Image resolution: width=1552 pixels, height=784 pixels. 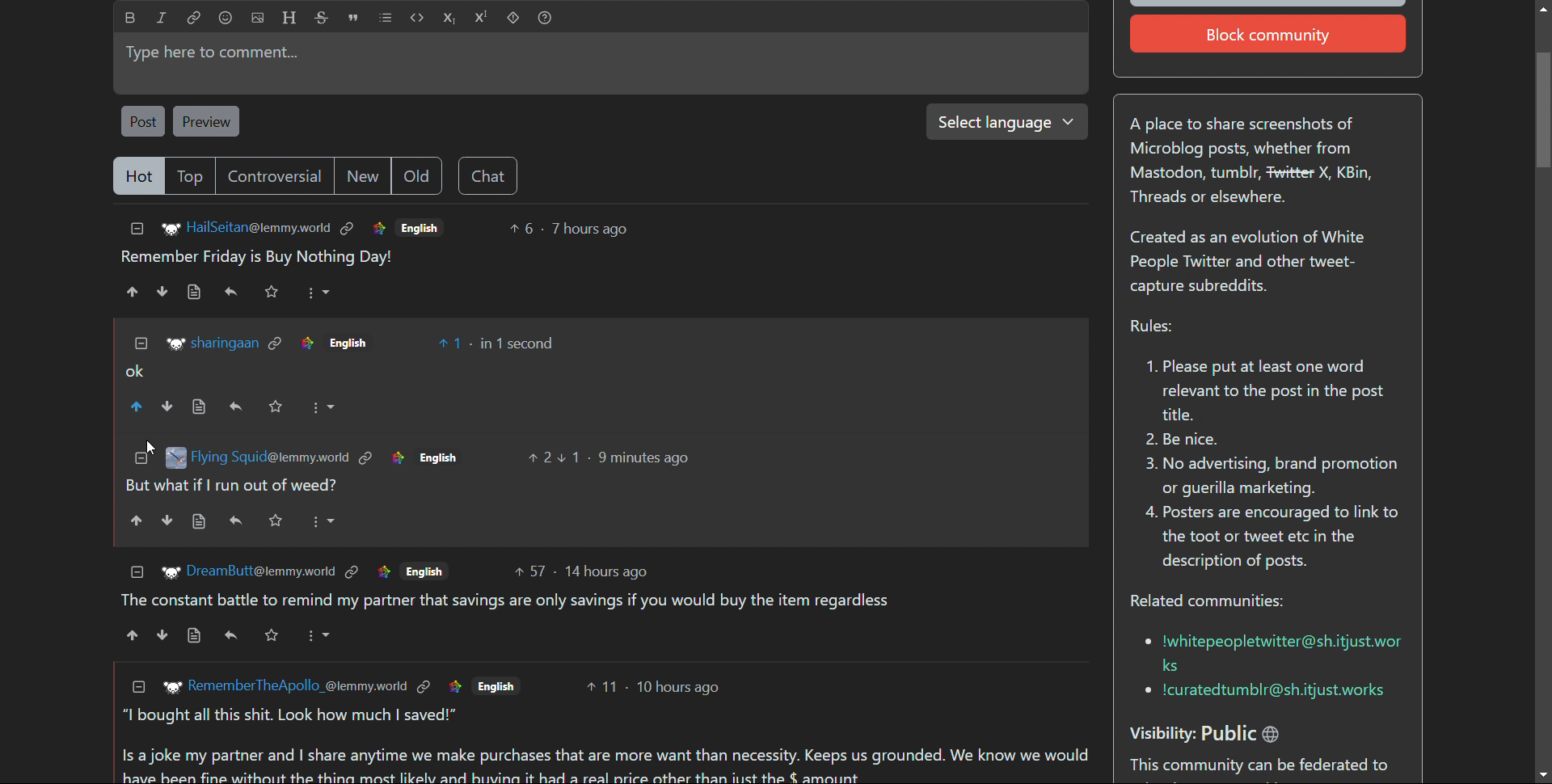 What do you see at coordinates (223, 344) in the screenshot?
I see `username` at bounding box center [223, 344].